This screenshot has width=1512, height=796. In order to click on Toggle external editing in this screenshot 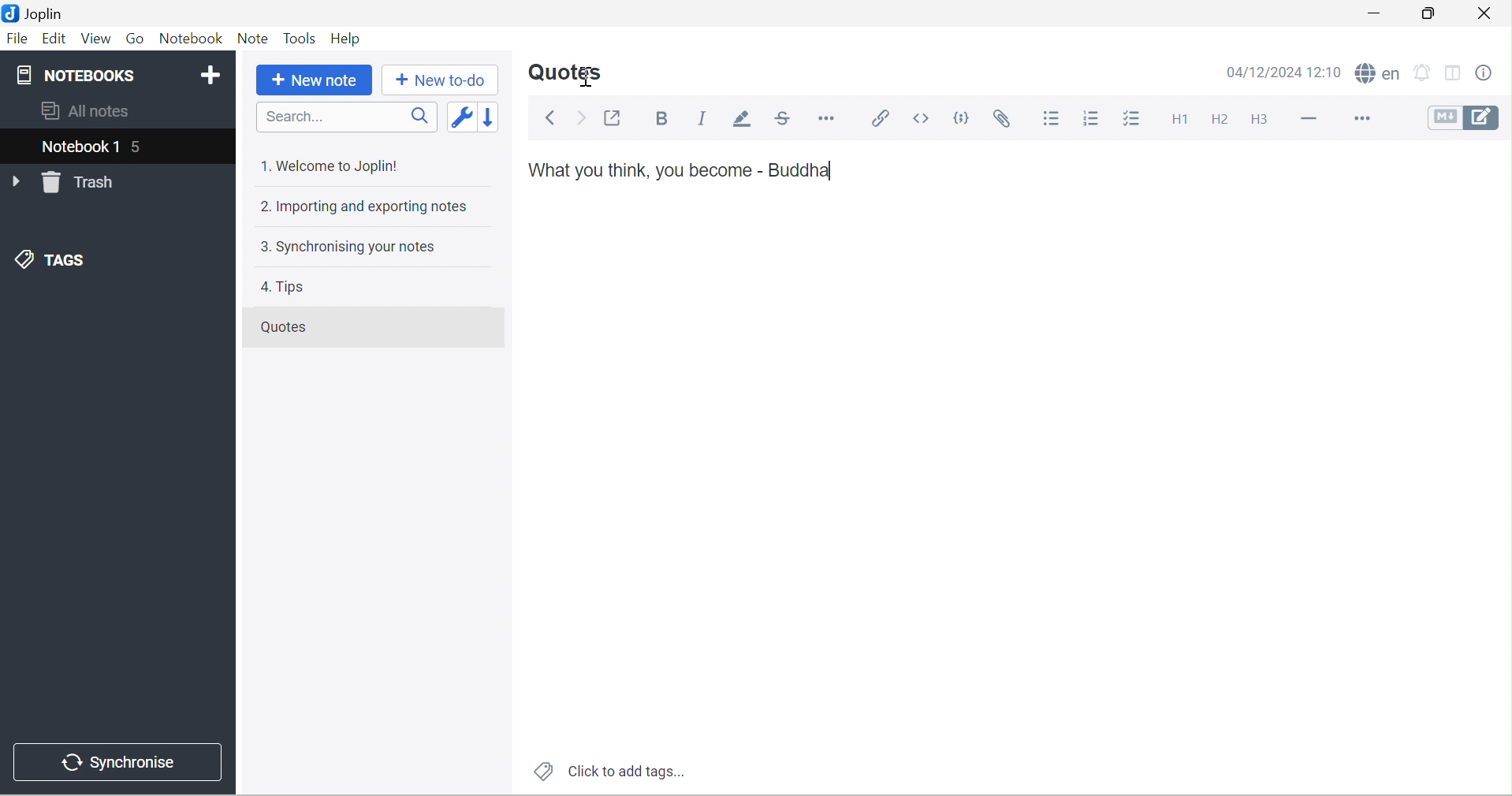, I will do `click(614, 117)`.